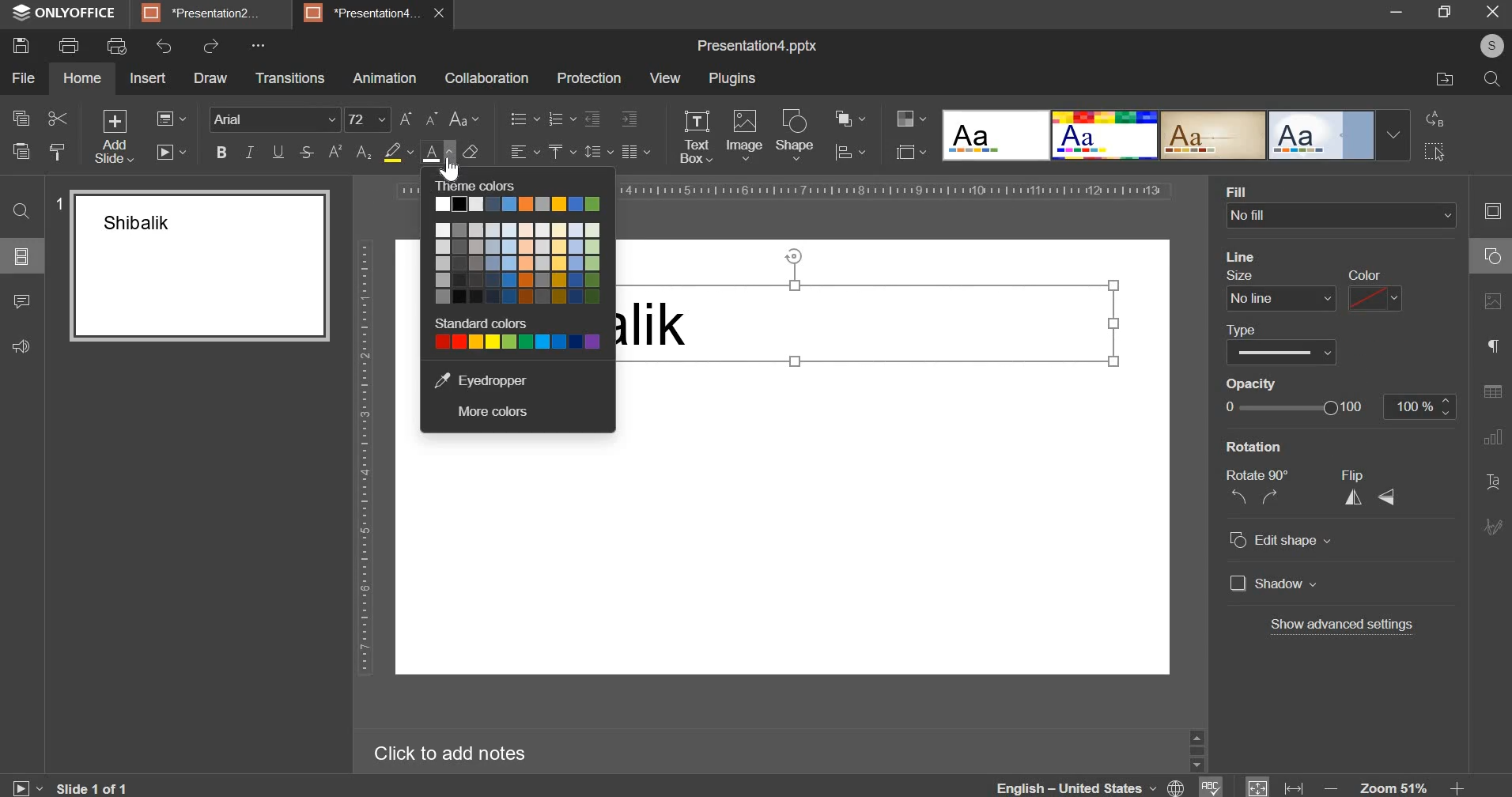  What do you see at coordinates (634, 152) in the screenshot?
I see `paragraph settings` at bounding box center [634, 152].